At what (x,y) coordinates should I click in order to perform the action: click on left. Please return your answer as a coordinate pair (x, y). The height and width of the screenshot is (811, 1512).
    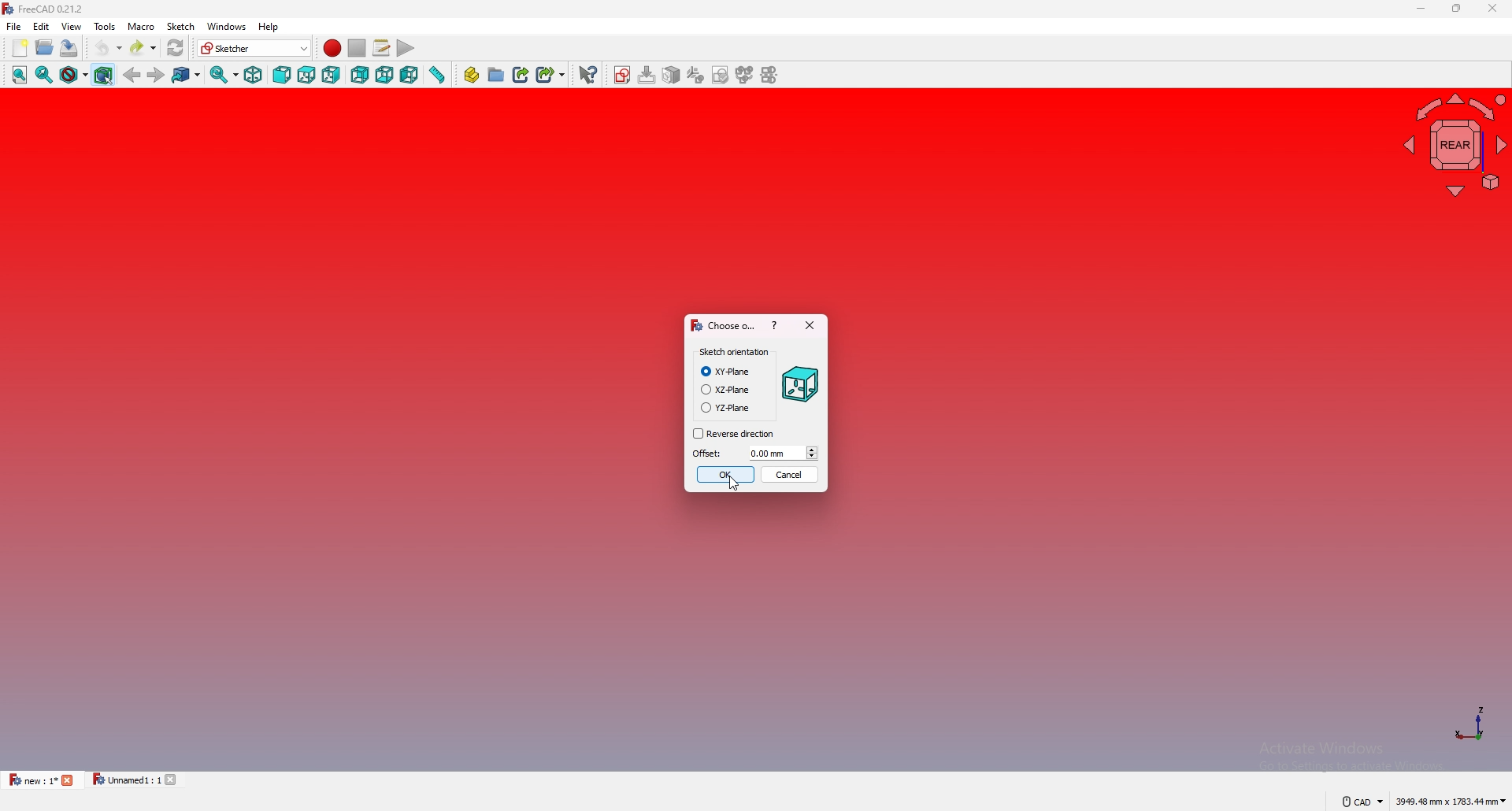
    Looking at the image, I should click on (410, 75).